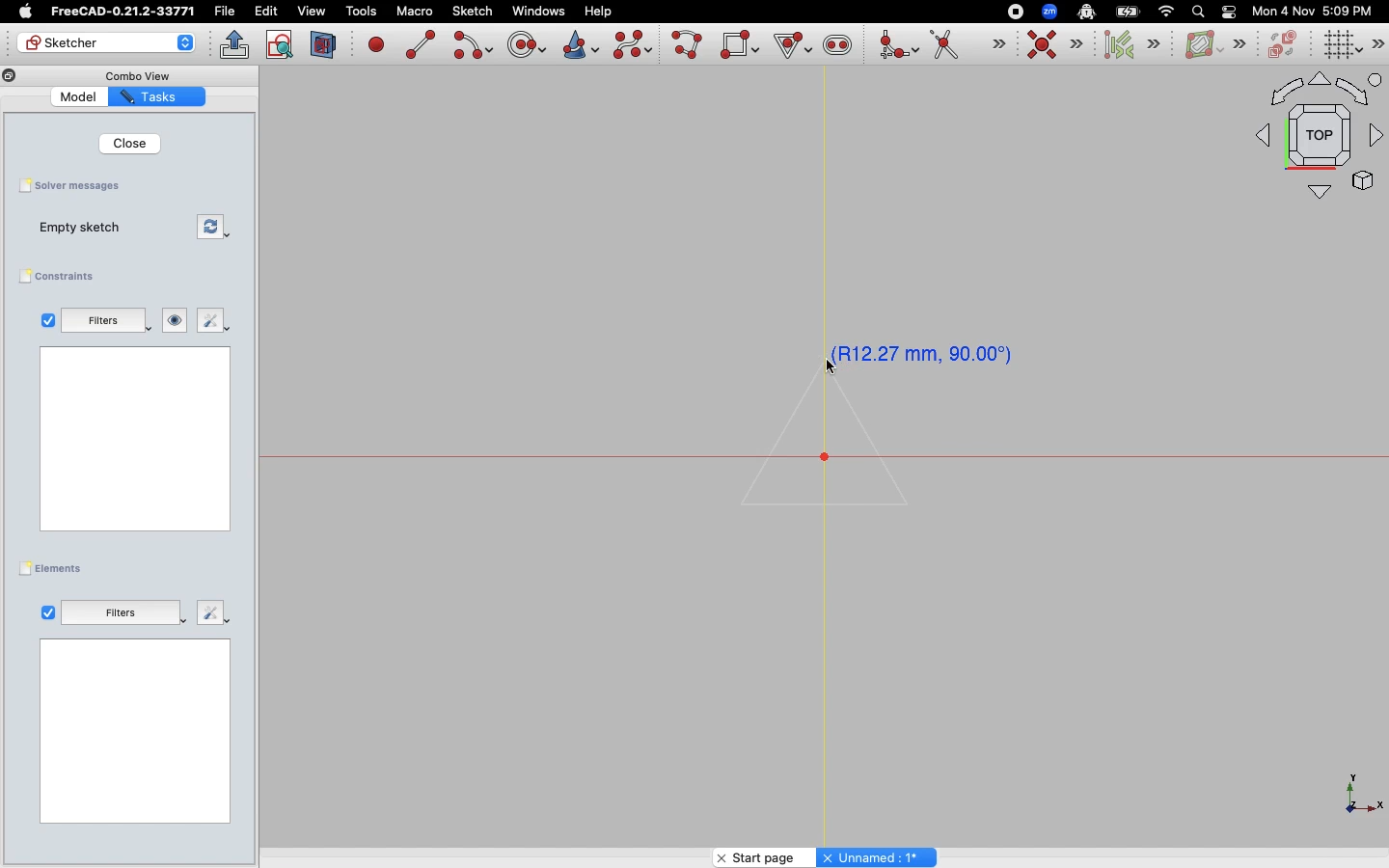  What do you see at coordinates (227, 12) in the screenshot?
I see `File` at bounding box center [227, 12].